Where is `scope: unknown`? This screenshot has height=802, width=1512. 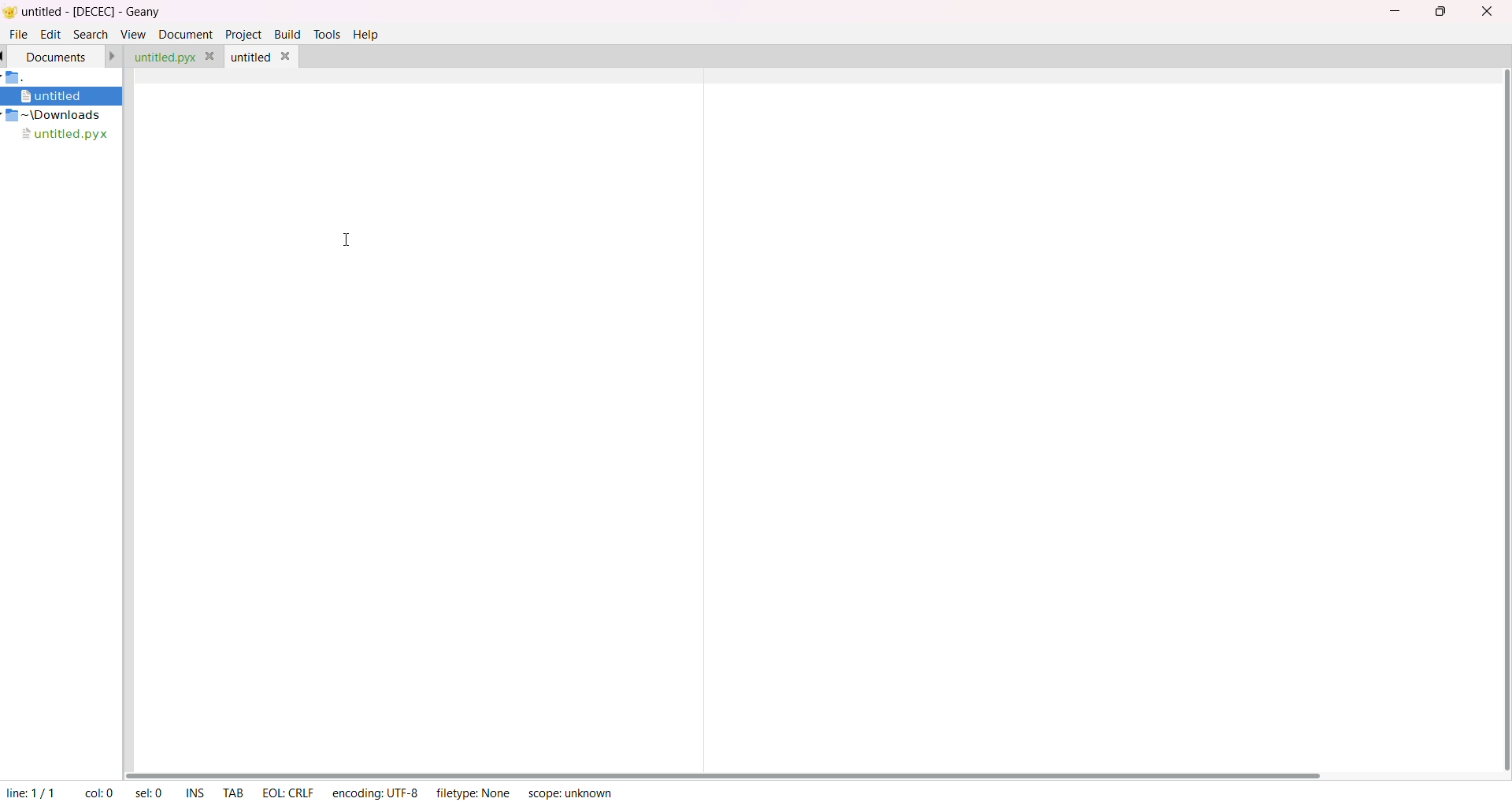
scope: unknown is located at coordinates (569, 793).